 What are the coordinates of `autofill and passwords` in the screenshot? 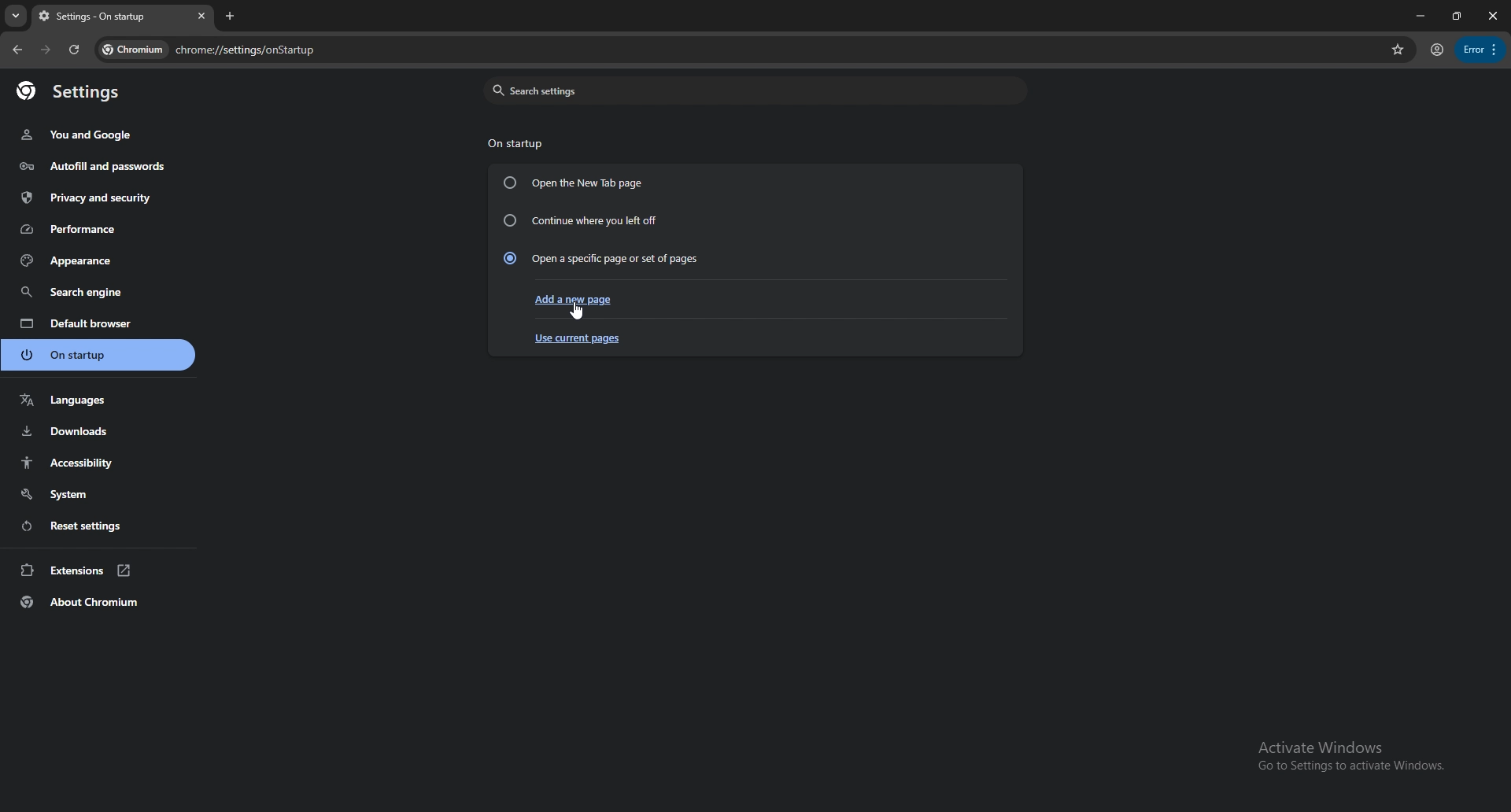 It's located at (93, 168).